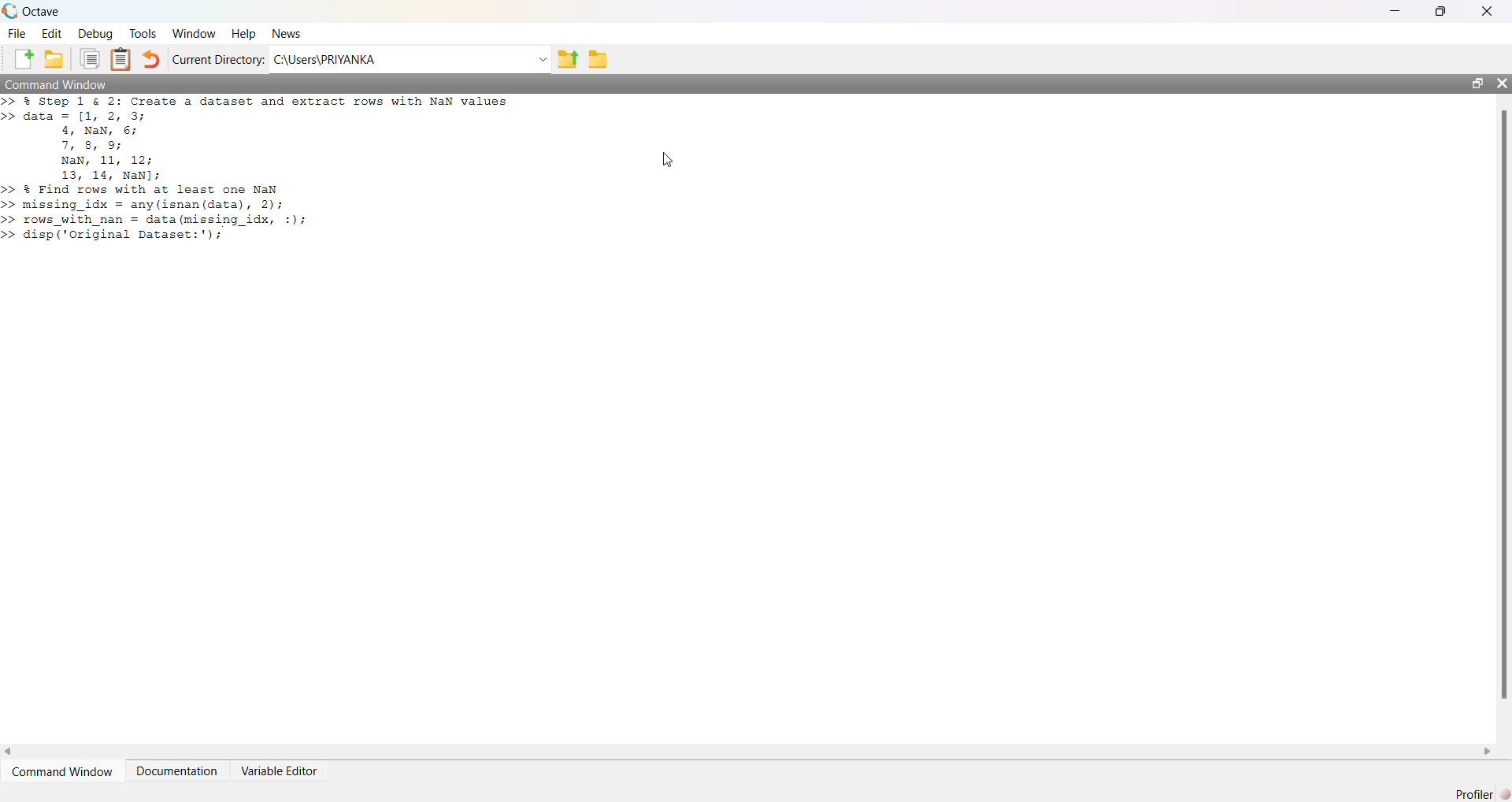  I want to click on Help, so click(243, 35).